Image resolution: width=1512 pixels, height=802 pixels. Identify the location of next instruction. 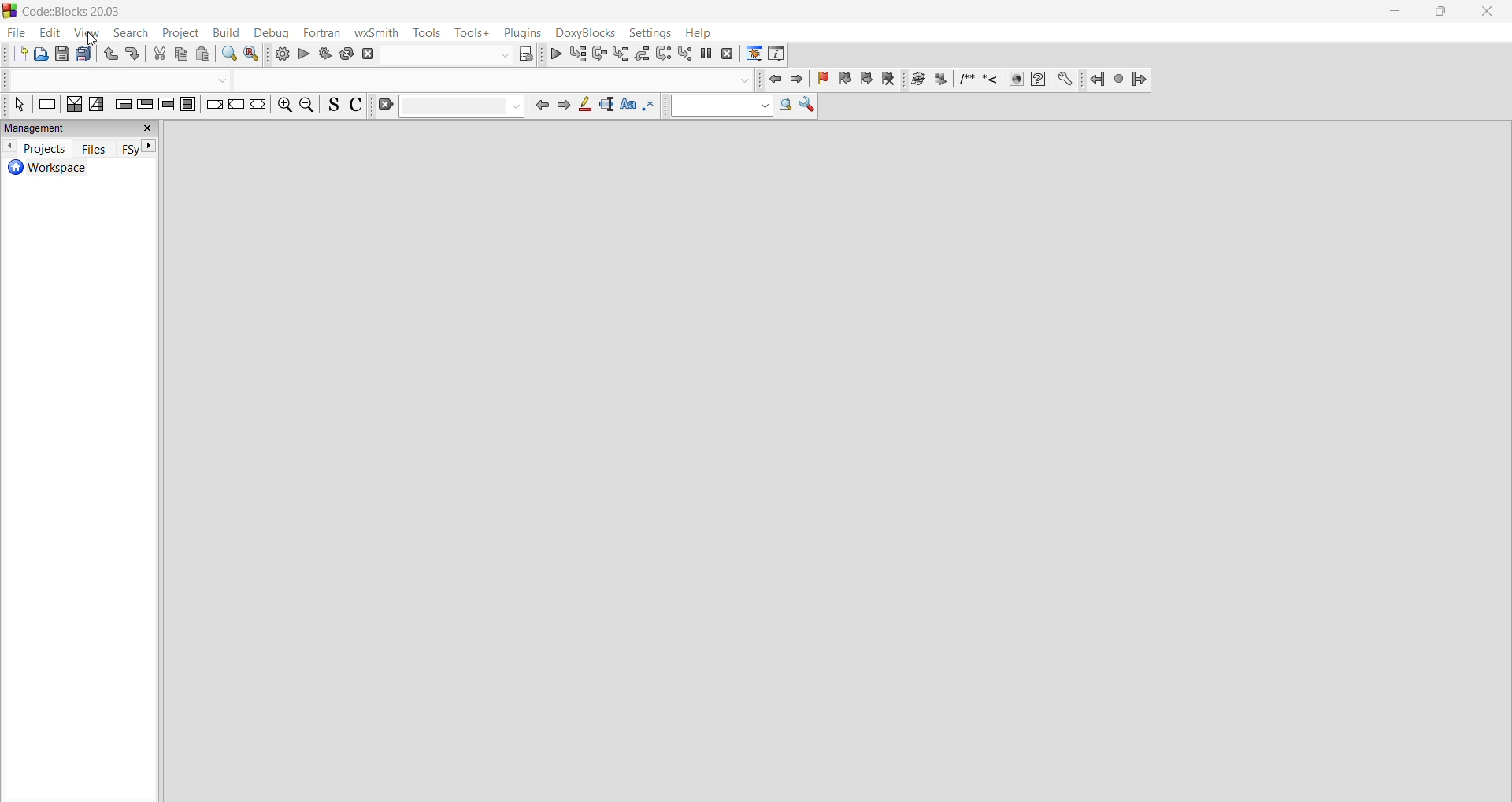
(665, 54).